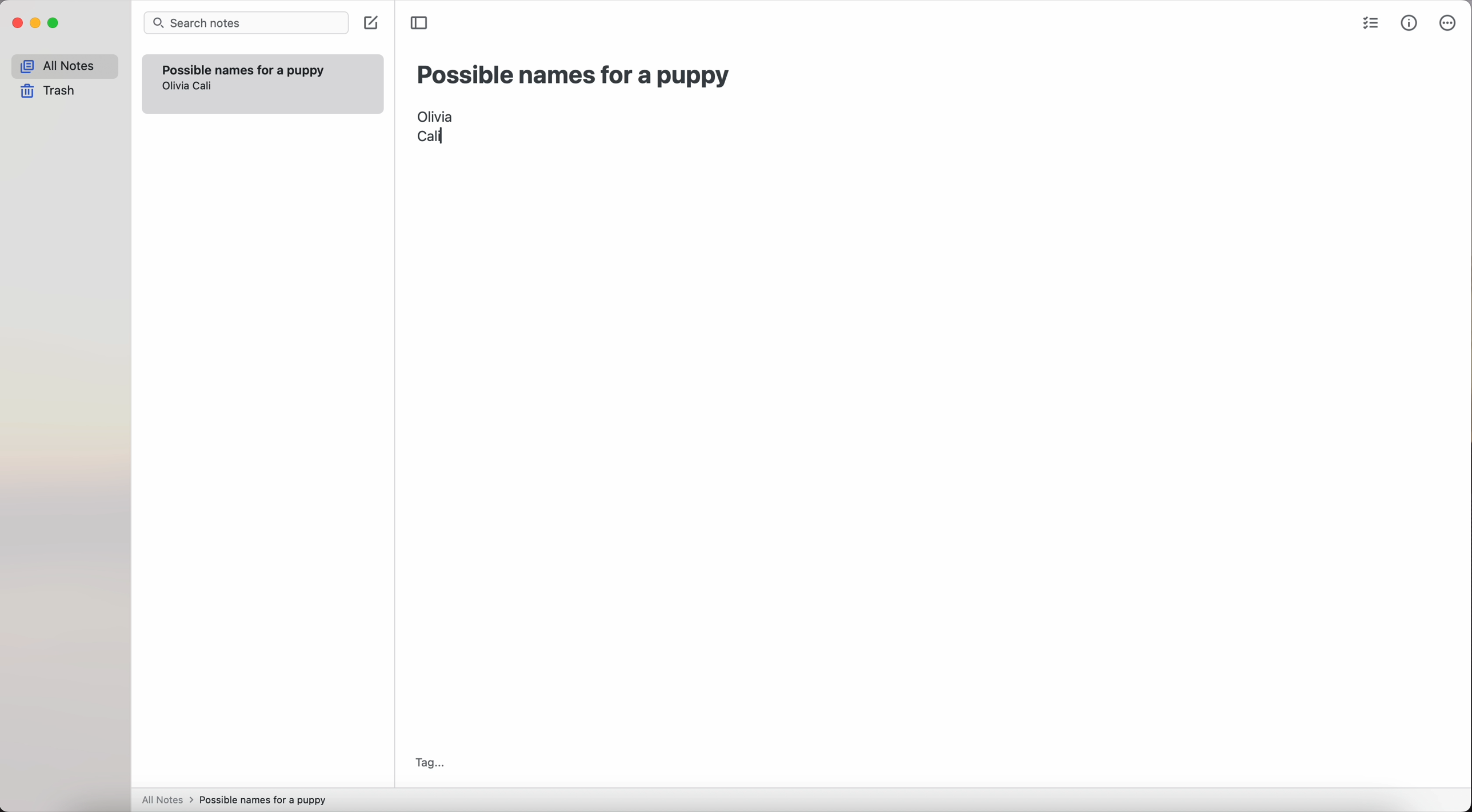  What do you see at coordinates (36, 24) in the screenshot?
I see `minimize` at bounding box center [36, 24].